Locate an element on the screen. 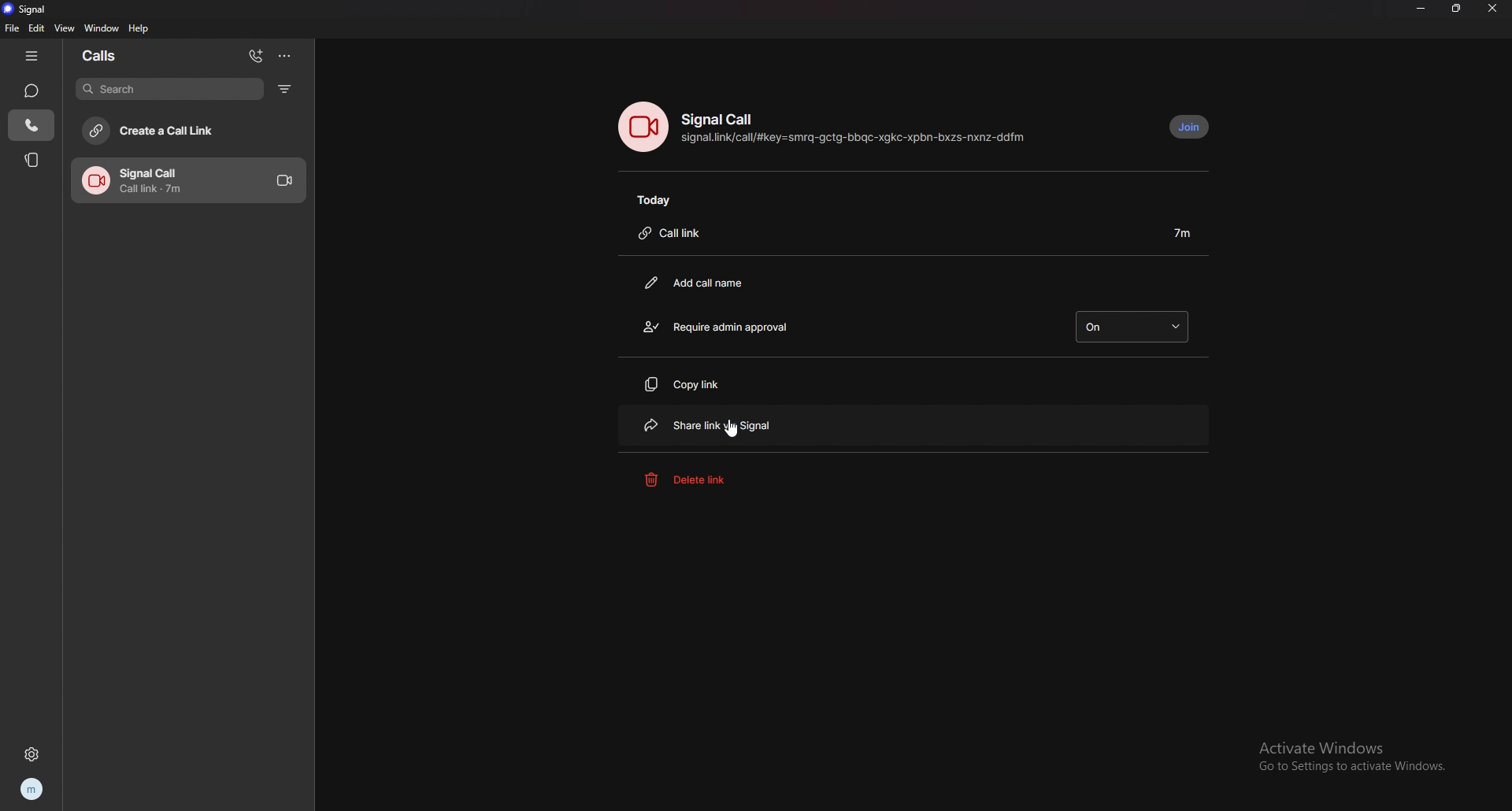 This screenshot has width=1512, height=811. signal.link/call/#key=smrq-gctg-bbqc-xgkc-xpbn-bxzs-nxnz-ddfm is located at coordinates (857, 140).